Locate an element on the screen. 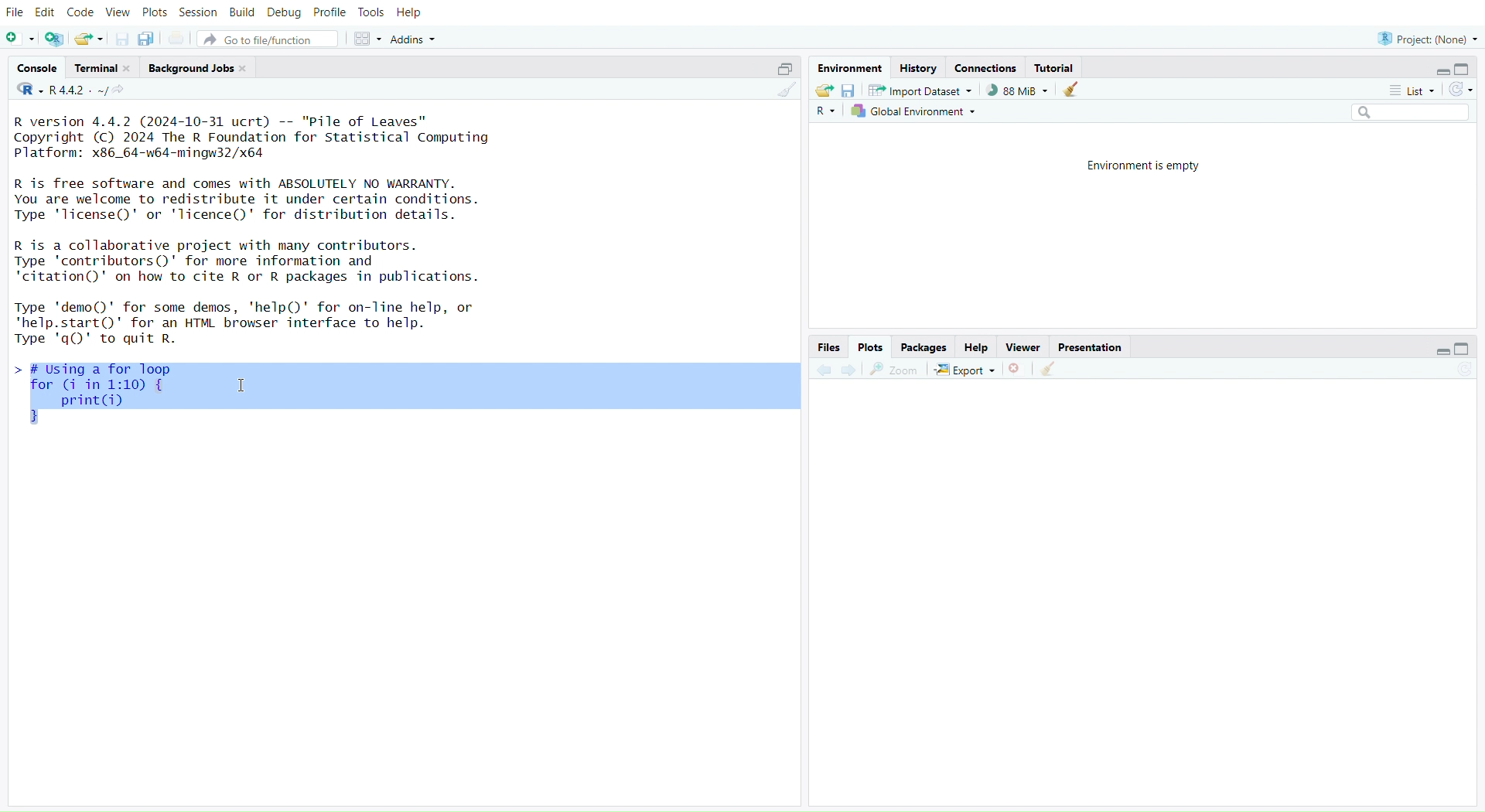 Image resolution: width=1485 pixels, height=812 pixels. code is located at coordinates (81, 15).